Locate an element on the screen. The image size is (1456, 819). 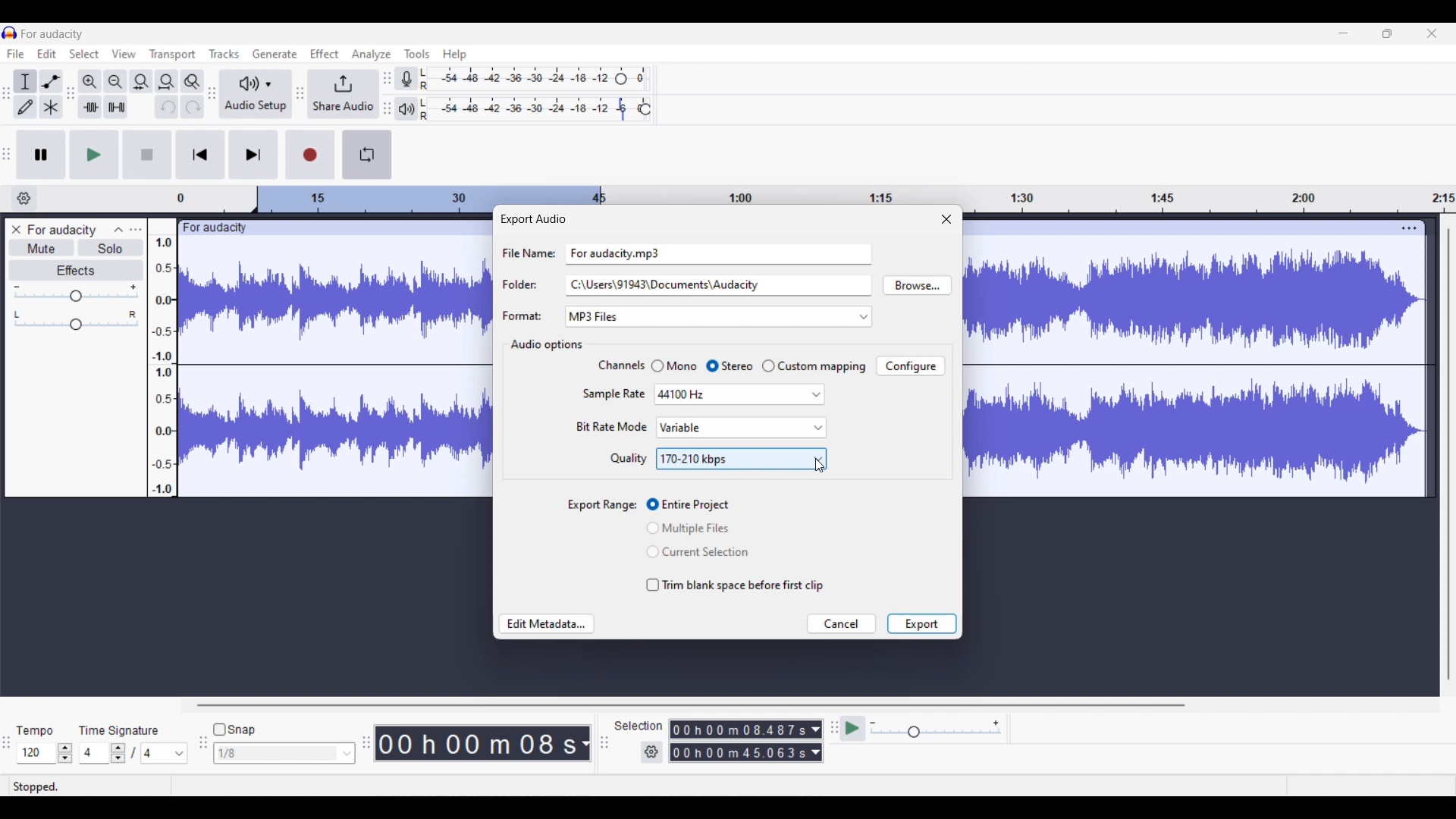
Collapse is located at coordinates (119, 230).